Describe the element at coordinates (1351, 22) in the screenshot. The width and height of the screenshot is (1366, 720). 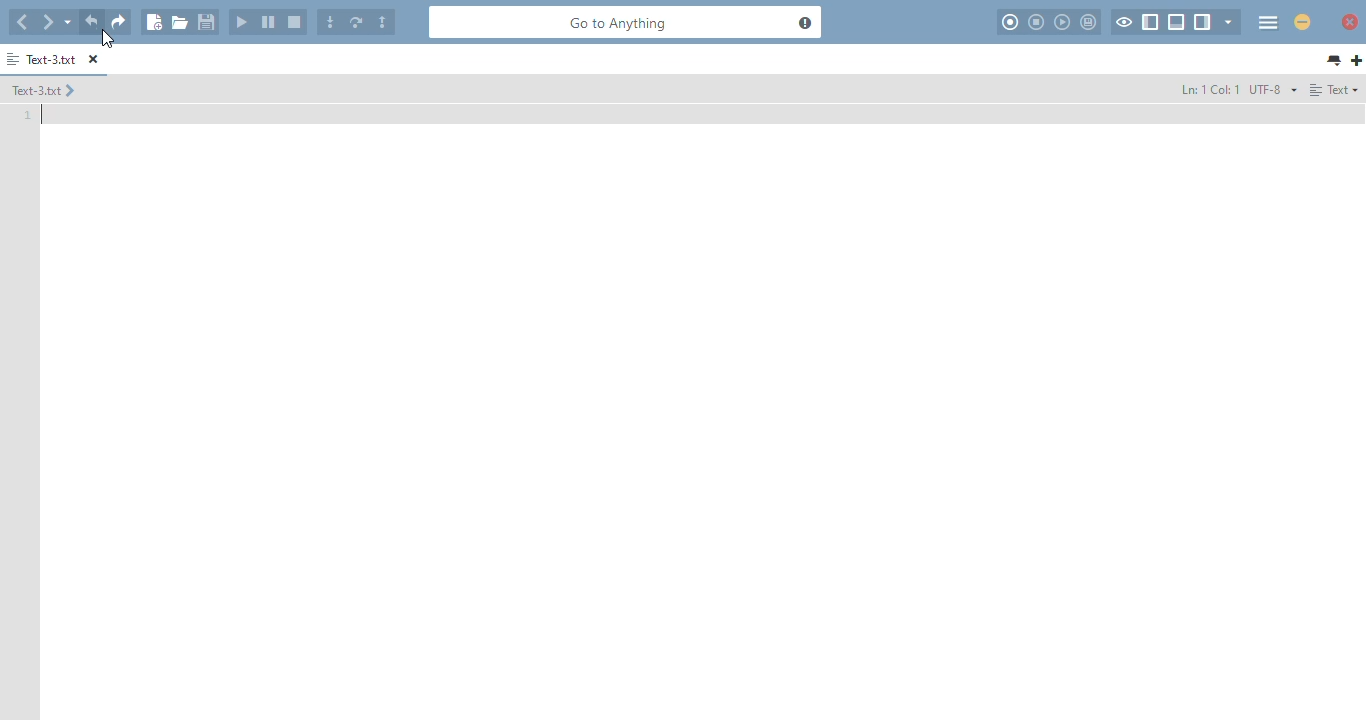
I see `close` at that location.